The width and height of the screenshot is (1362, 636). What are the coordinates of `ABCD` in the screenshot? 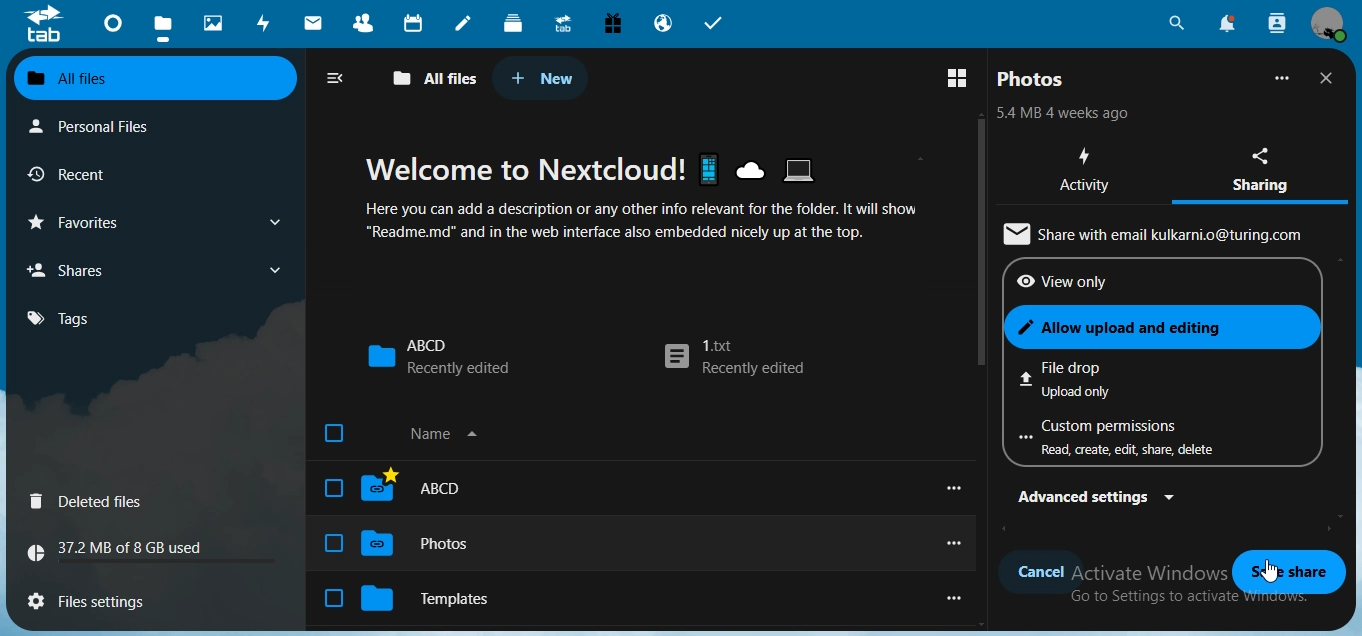 It's located at (396, 486).